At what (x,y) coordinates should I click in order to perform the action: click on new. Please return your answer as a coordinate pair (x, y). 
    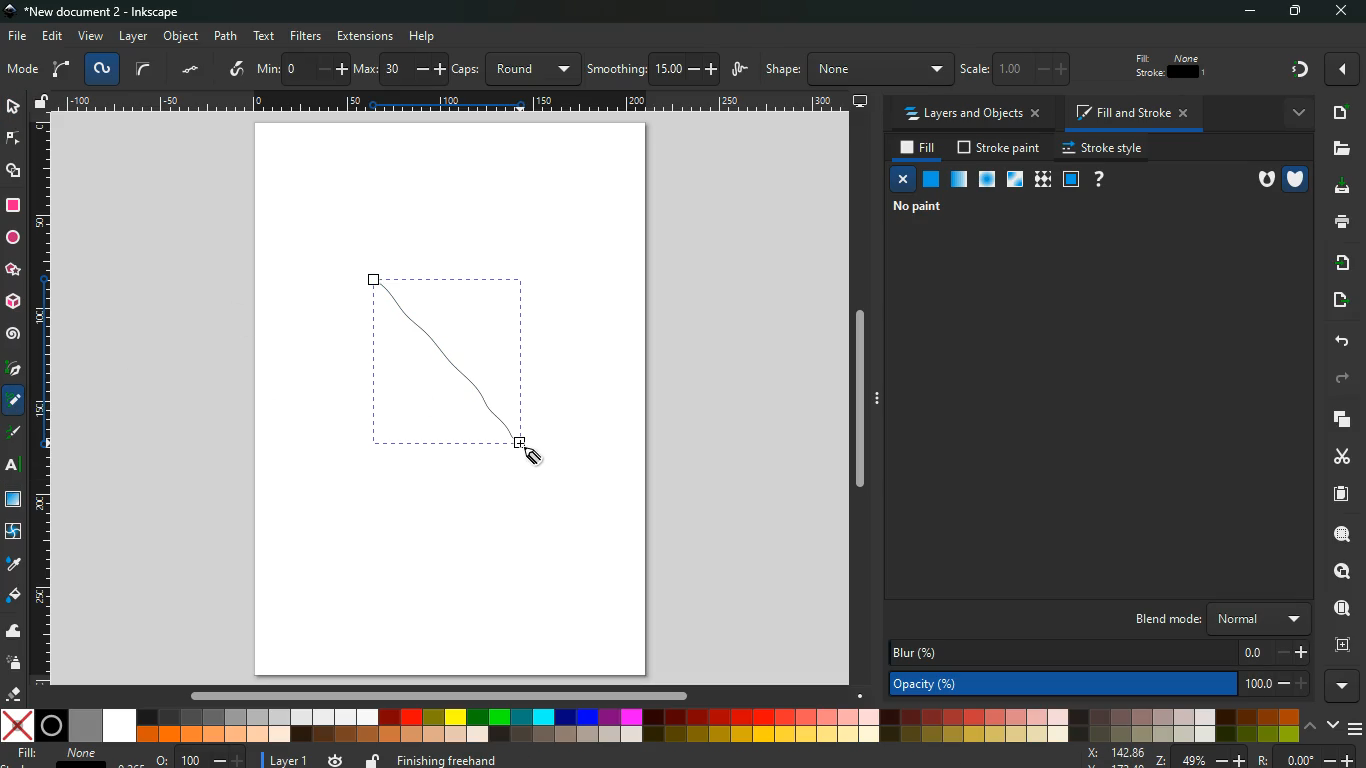
    Looking at the image, I should click on (1341, 112).